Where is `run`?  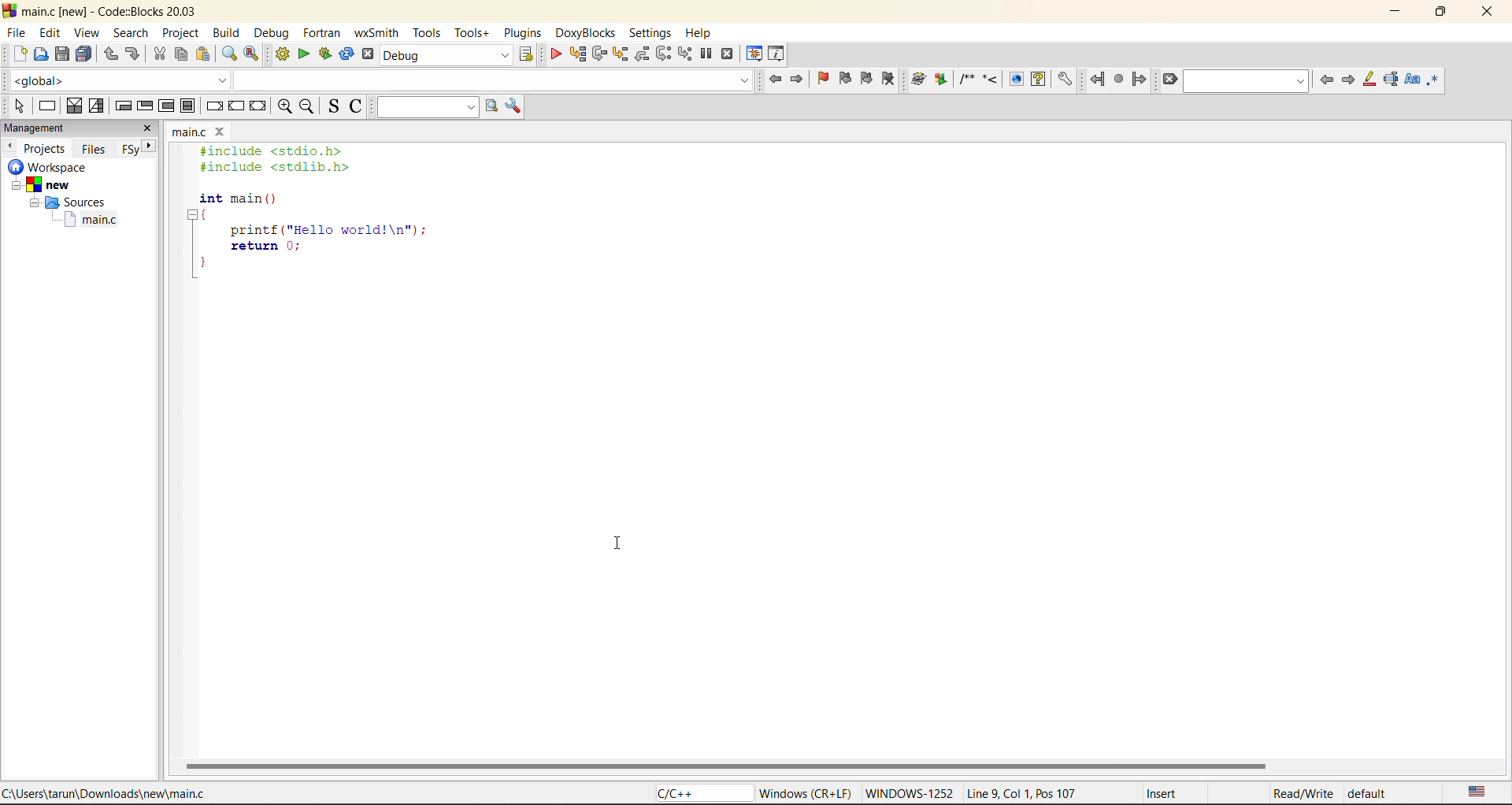
run is located at coordinates (305, 53).